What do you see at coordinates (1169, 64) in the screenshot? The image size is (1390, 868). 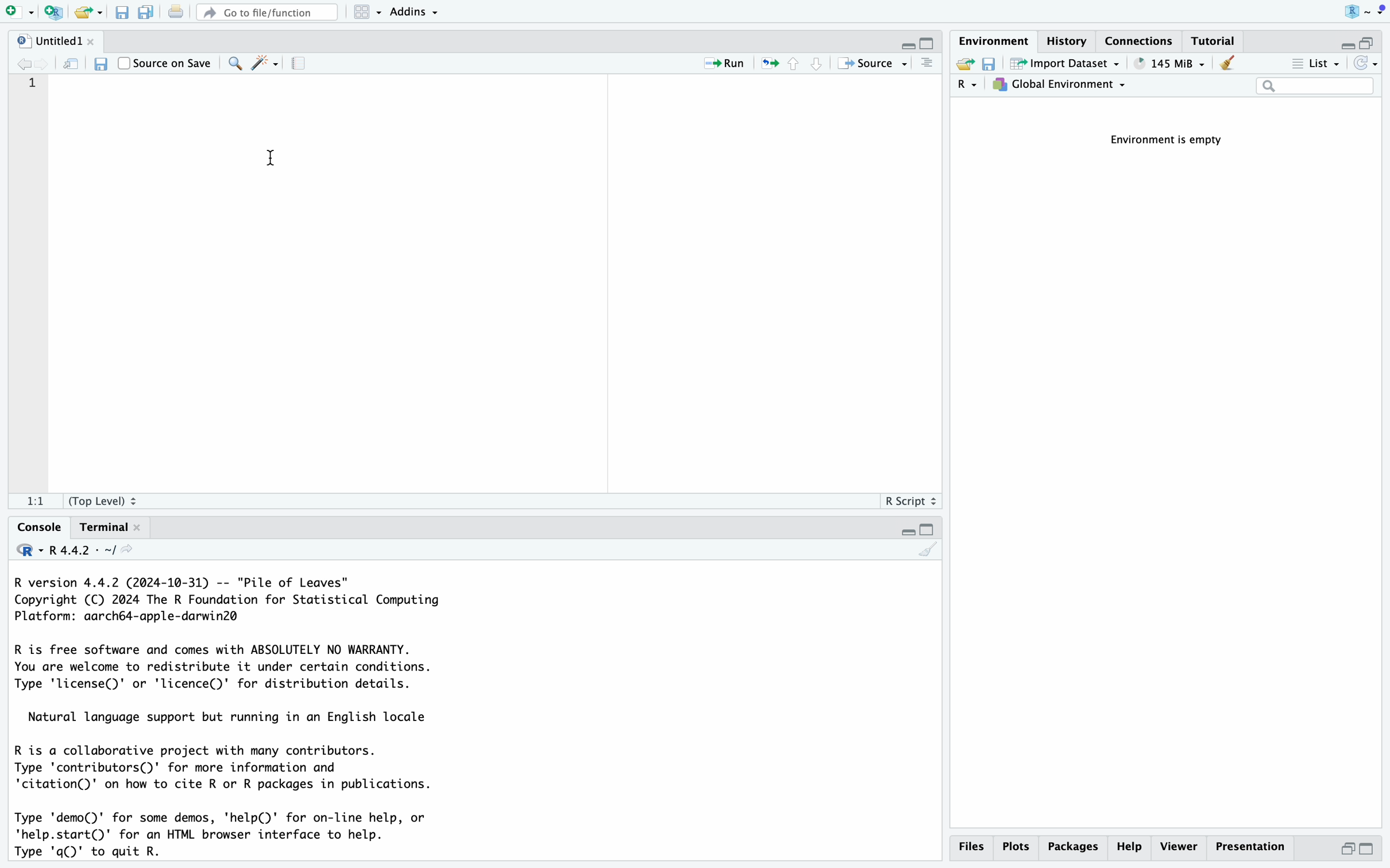 I see `148 MiB` at bounding box center [1169, 64].